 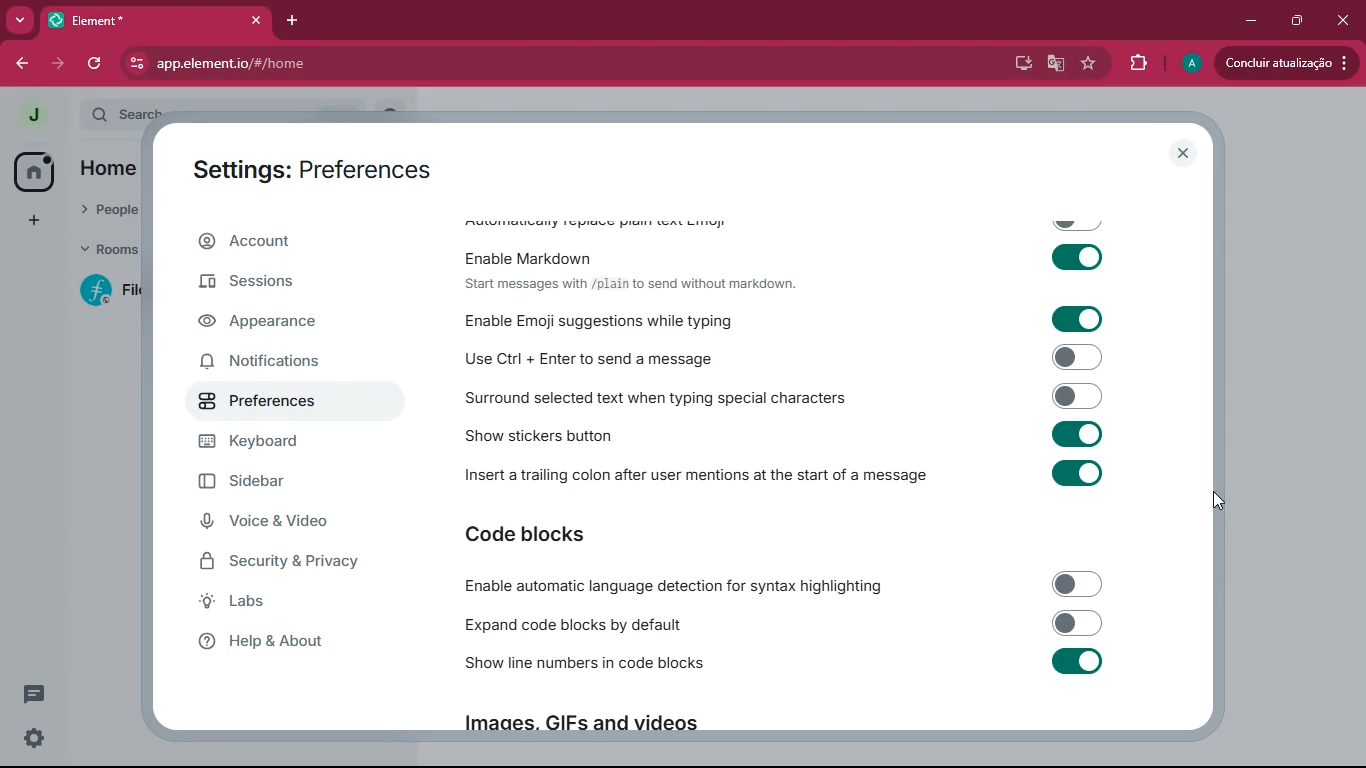 What do you see at coordinates (1219, 497) in the screenshot?
I see `cursor` at bounding box center [1219, 497].